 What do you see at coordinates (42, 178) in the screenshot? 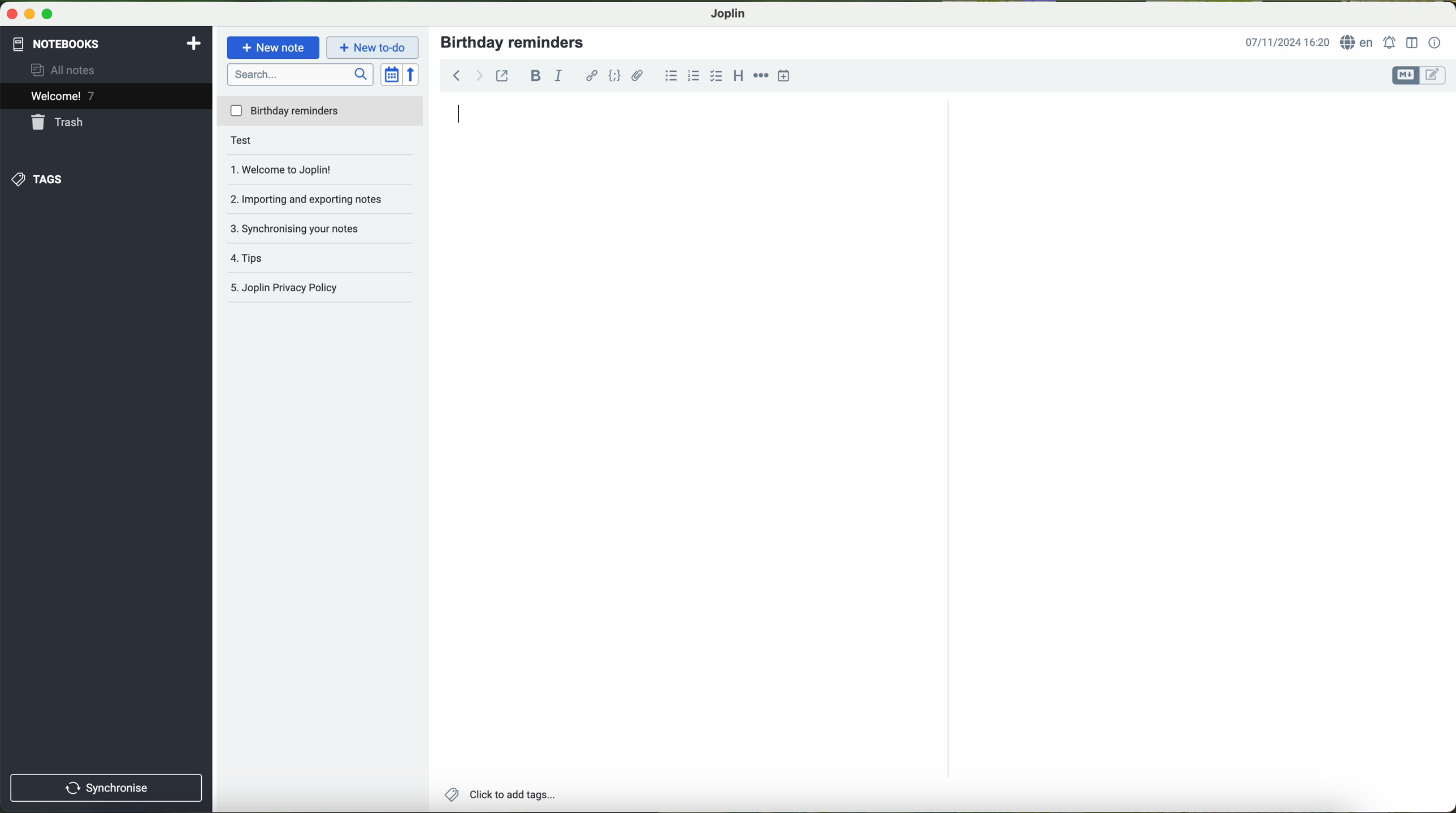
I see `tags` at bounding box center [42, 178].